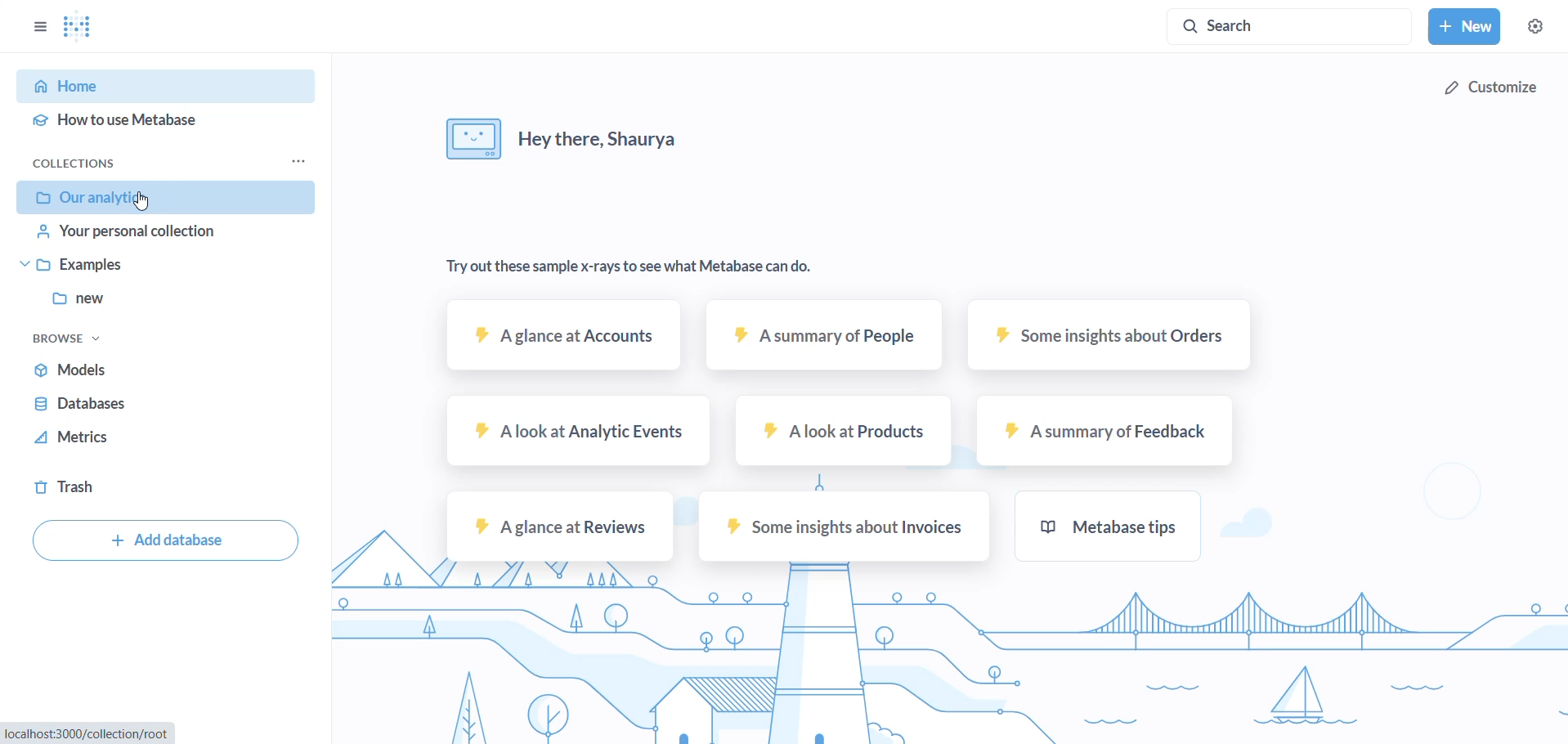  What do you see at coordinates (78, 342) in the screenshot?
I see `browse` at bounding box center [78, 342].